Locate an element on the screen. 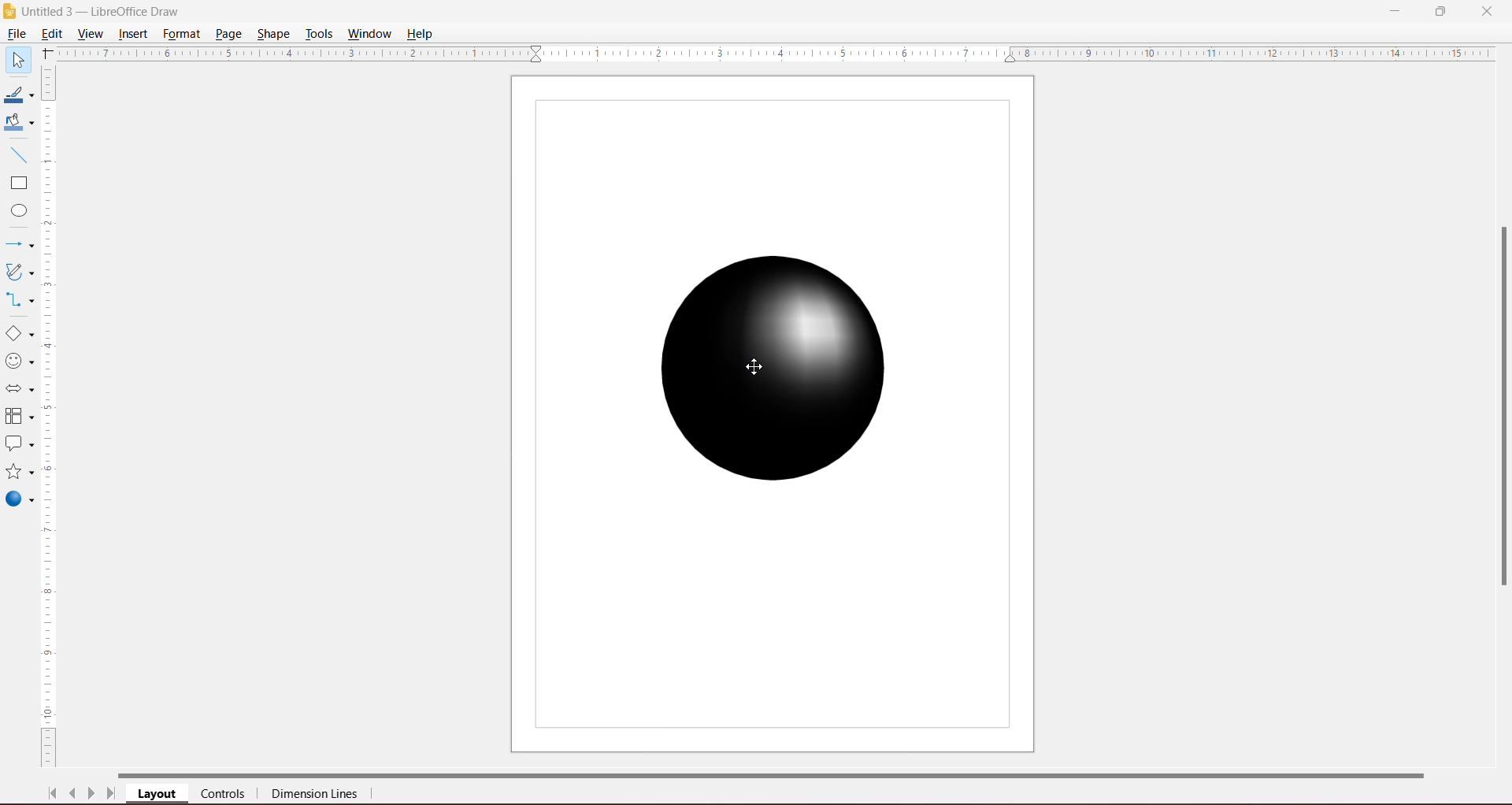 The height and width of the screenshot is (805, 1512). Insert Line is located at coordinates (17, 154).